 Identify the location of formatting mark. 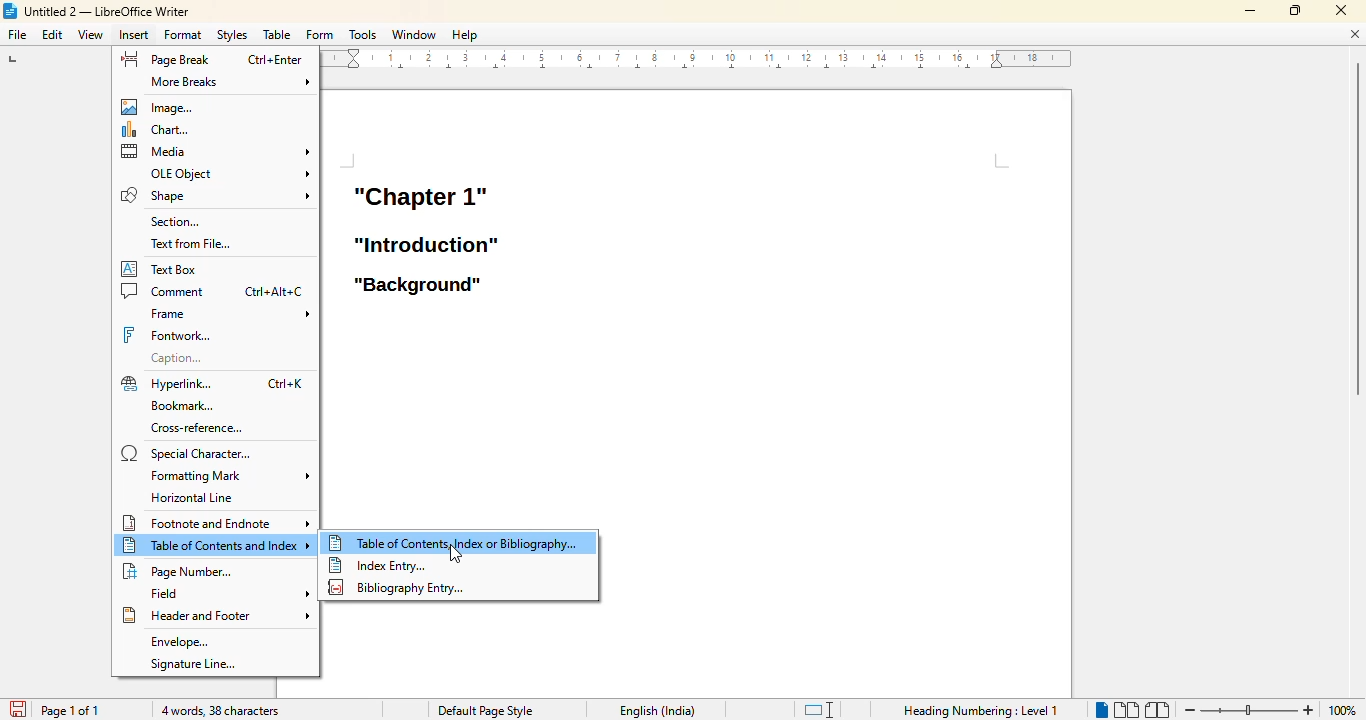
(229, 475).